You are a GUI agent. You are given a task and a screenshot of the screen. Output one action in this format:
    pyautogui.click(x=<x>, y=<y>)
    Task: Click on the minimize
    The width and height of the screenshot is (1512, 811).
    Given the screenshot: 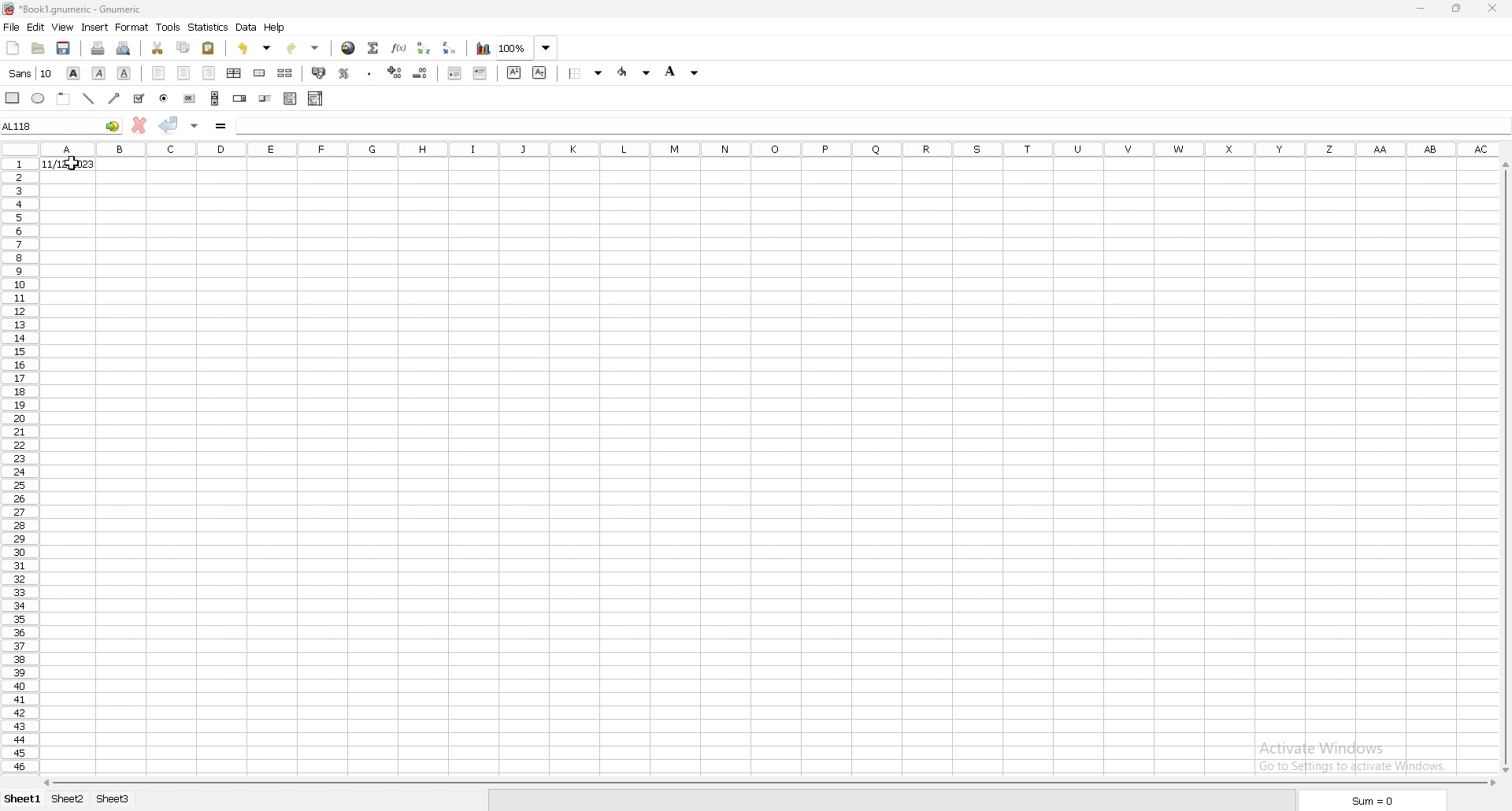 What is the action you would take?
    pyautogui.click(x=1421, y=10)
    